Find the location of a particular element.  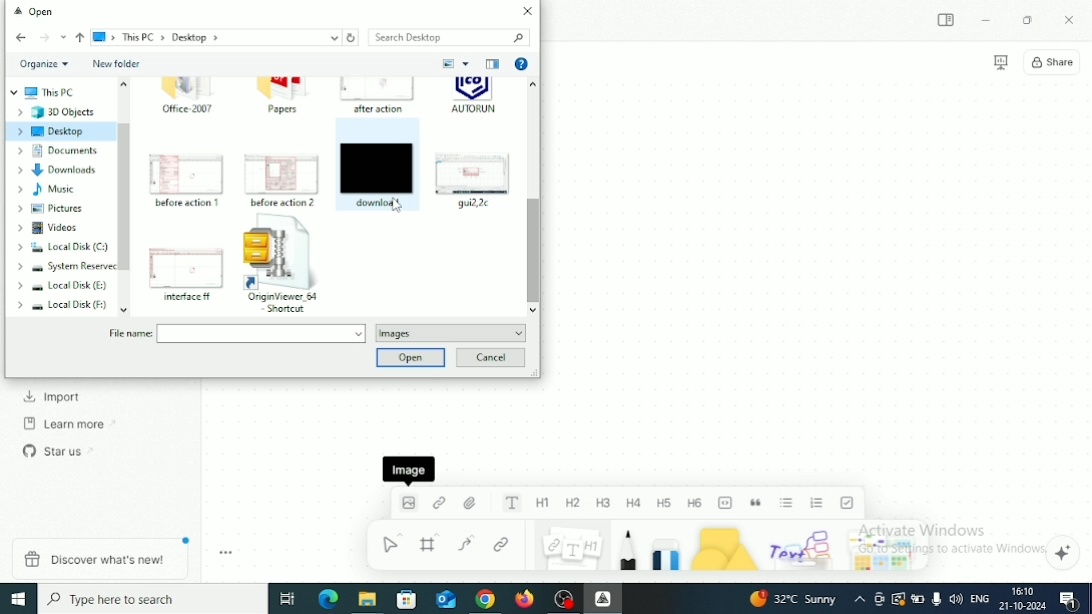

Expand sidebar is located at coordinates (947, 21).